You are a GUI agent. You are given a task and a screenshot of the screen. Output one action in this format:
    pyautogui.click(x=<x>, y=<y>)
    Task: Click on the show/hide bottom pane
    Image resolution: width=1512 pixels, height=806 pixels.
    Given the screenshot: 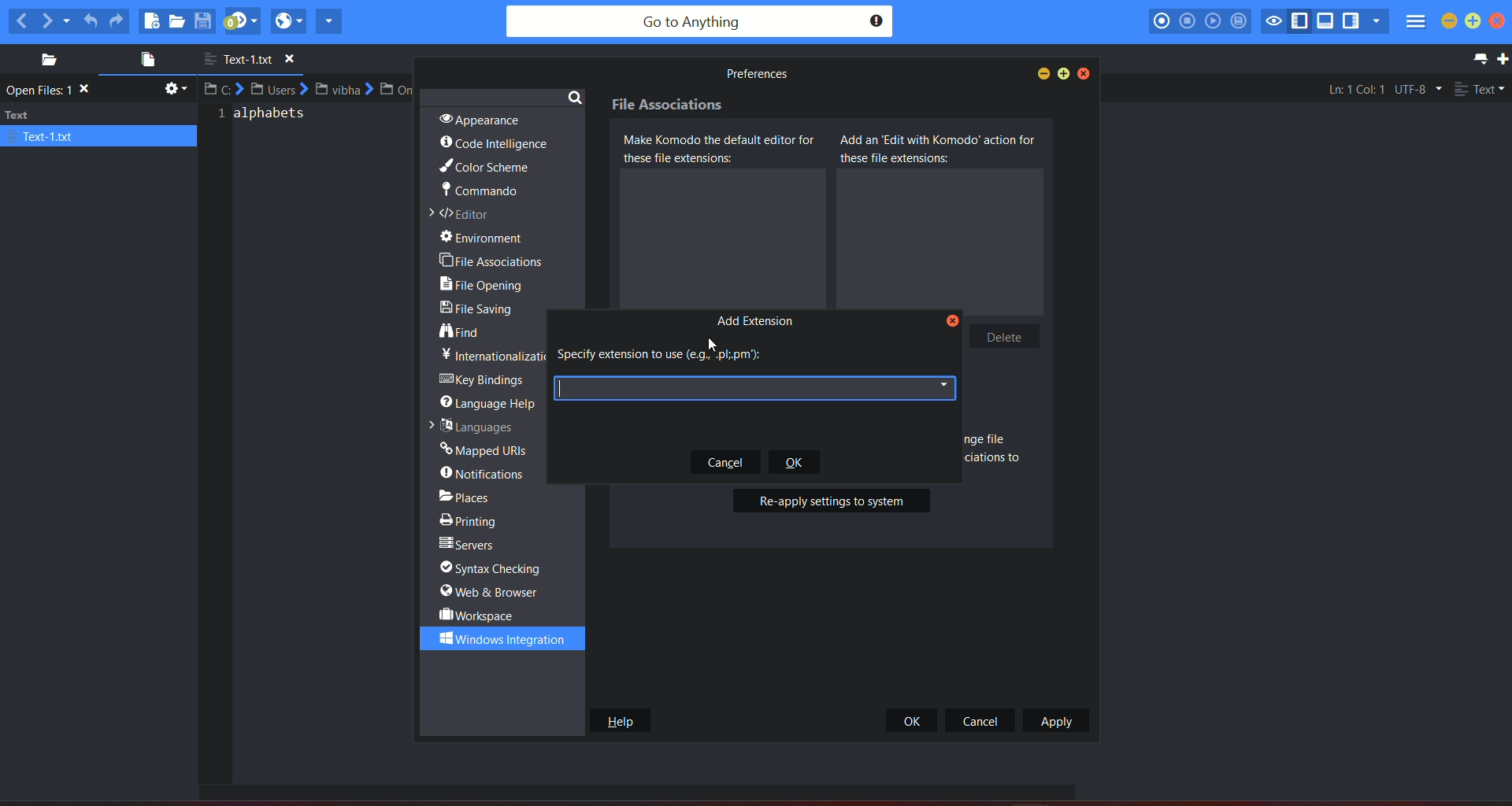 What is the action you would take?
    pyautogui.click(x=1327, y=23)
    